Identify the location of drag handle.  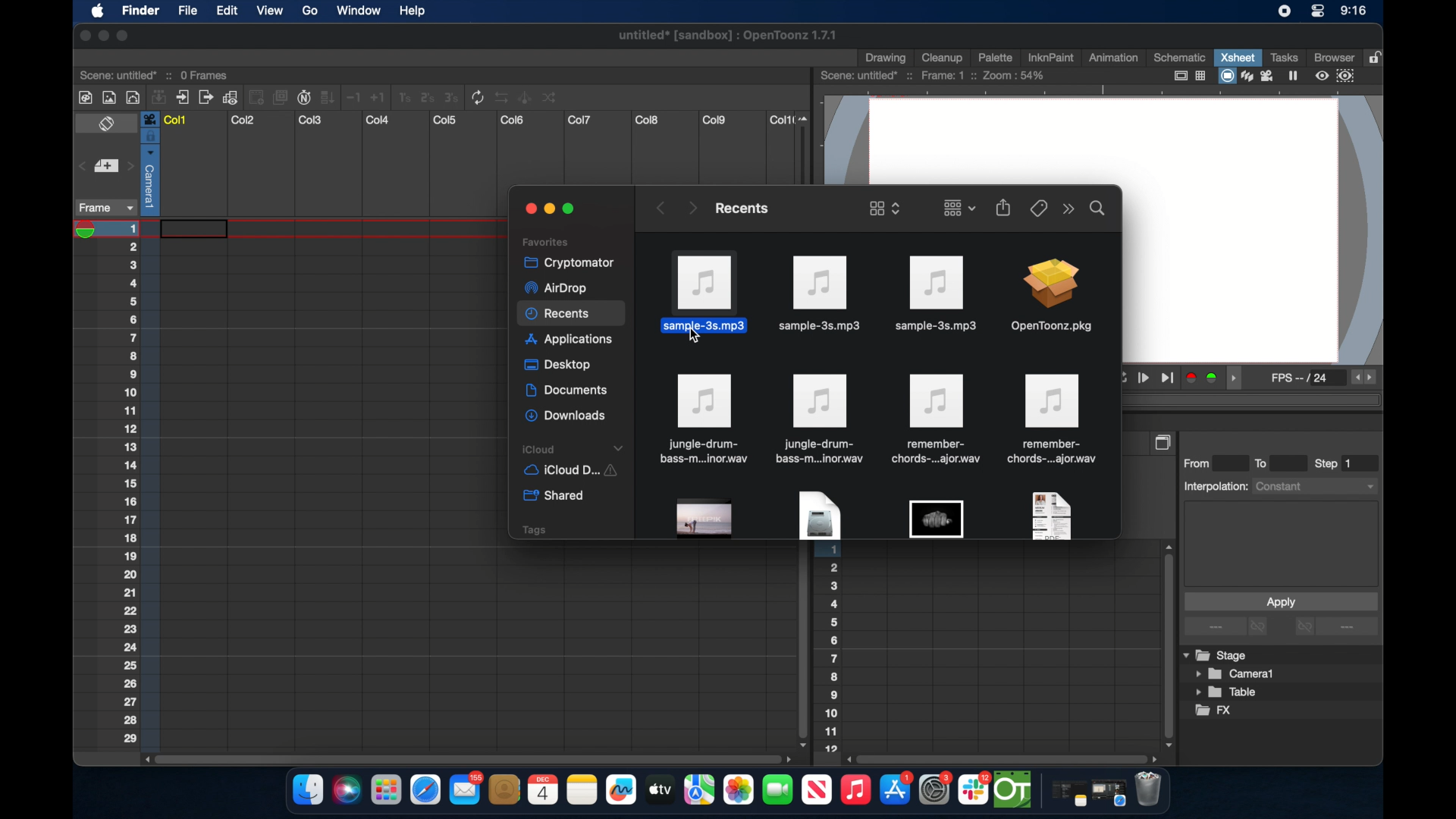
(1238, 378).